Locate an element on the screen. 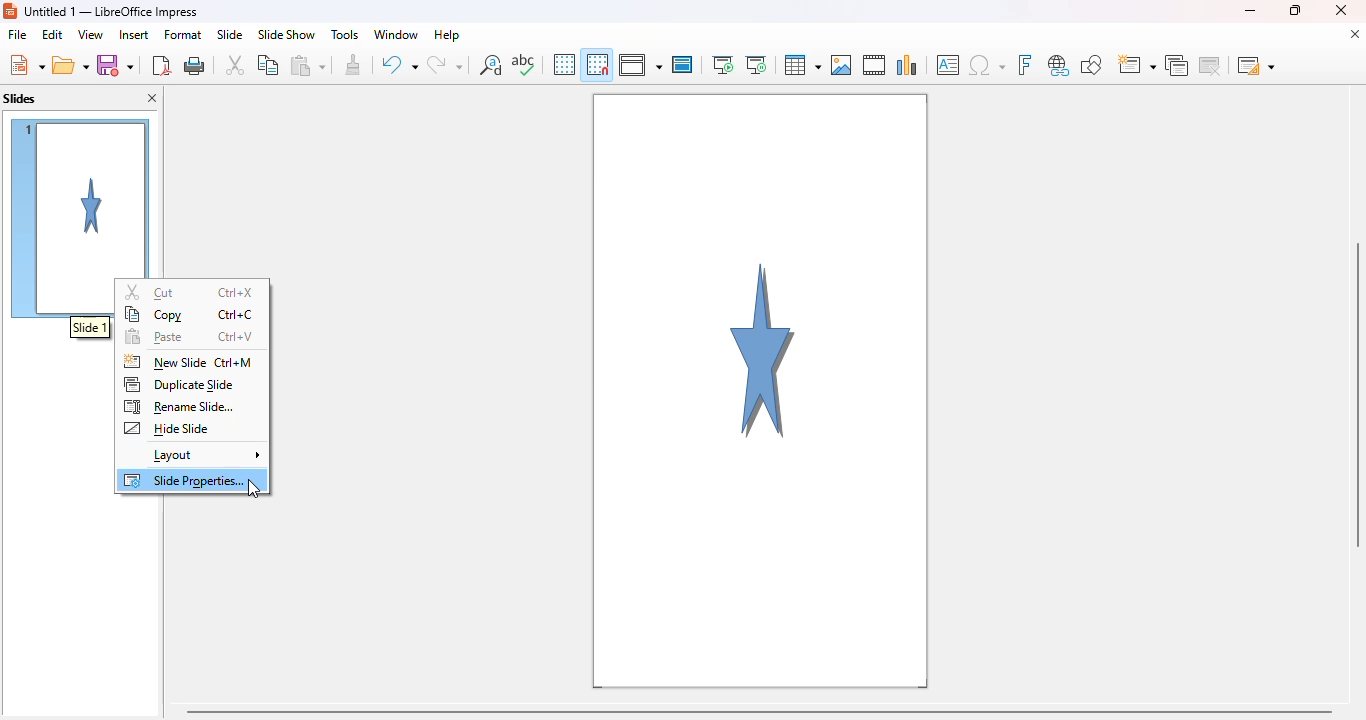  spelling is located at coordinates (524, 64).